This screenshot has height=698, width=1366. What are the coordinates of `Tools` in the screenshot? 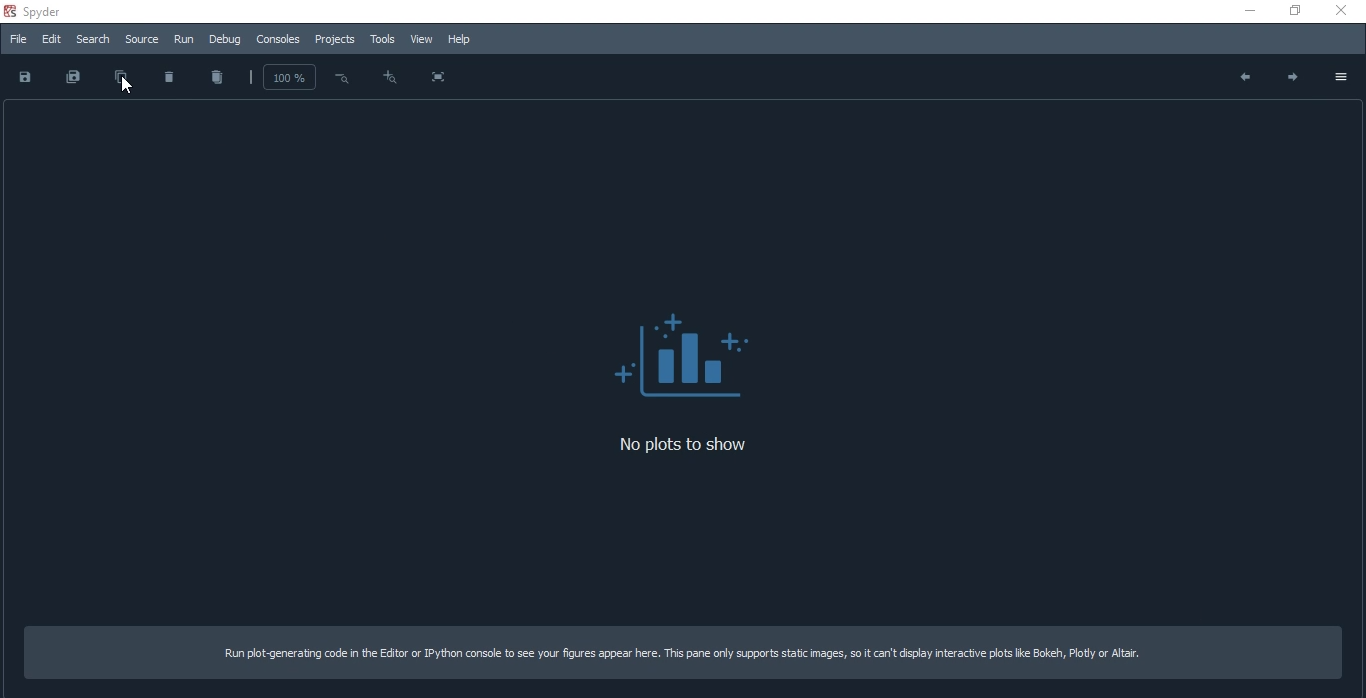 It's located at (383, 41).